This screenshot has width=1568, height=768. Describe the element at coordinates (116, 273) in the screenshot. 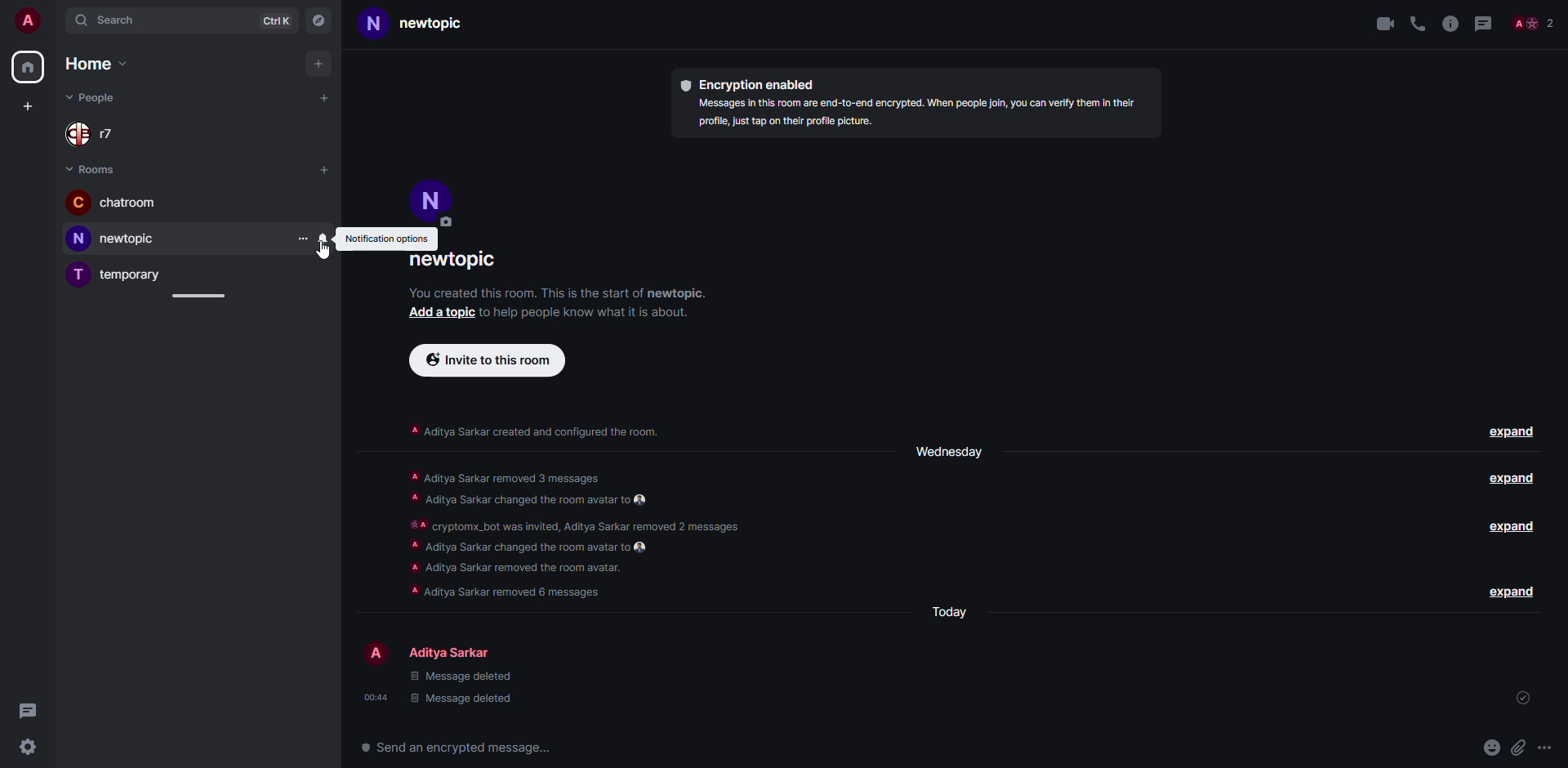

I see `room` at that location.